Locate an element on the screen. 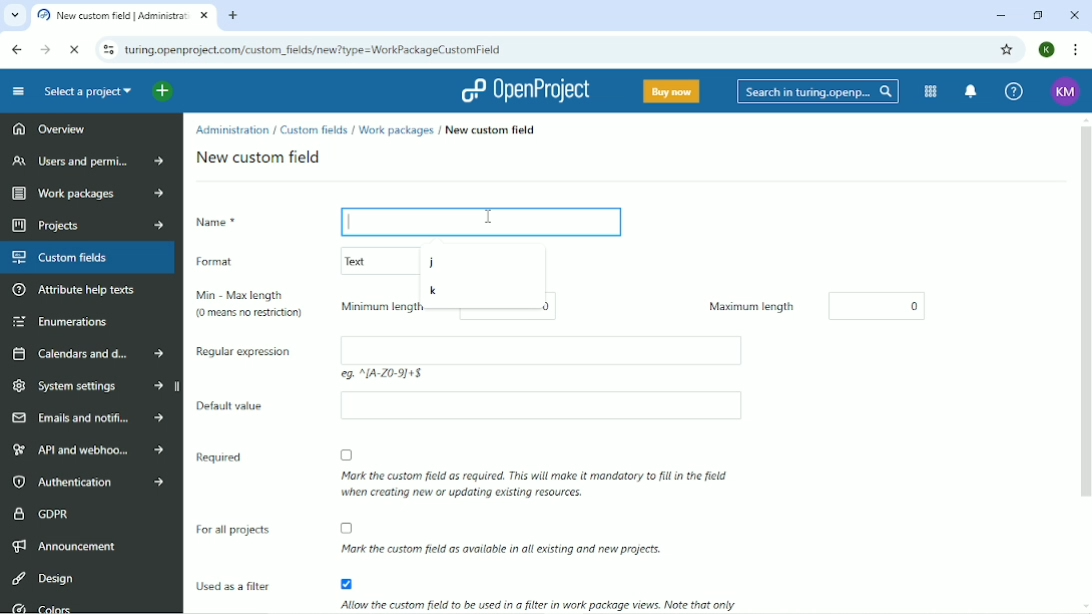 The height and width of the screenshot is (614, 1092). Account is located at coordinates (1063, 90).